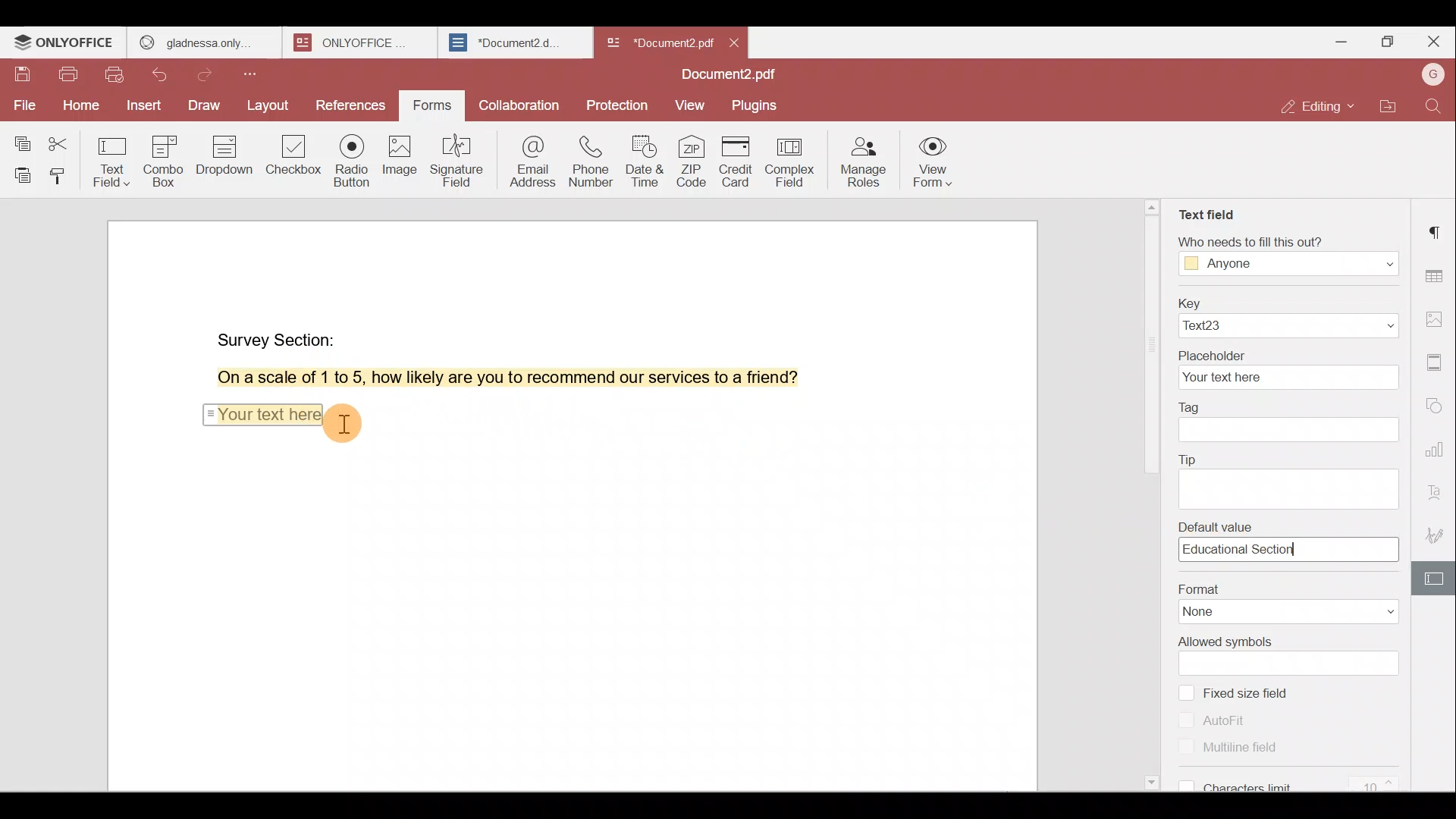 The width and height of the screenshot is (1456, 819). What do you see at coordinates (434, 106) in the screenshot?
I see `Forms` at bounding box center [434, 106].